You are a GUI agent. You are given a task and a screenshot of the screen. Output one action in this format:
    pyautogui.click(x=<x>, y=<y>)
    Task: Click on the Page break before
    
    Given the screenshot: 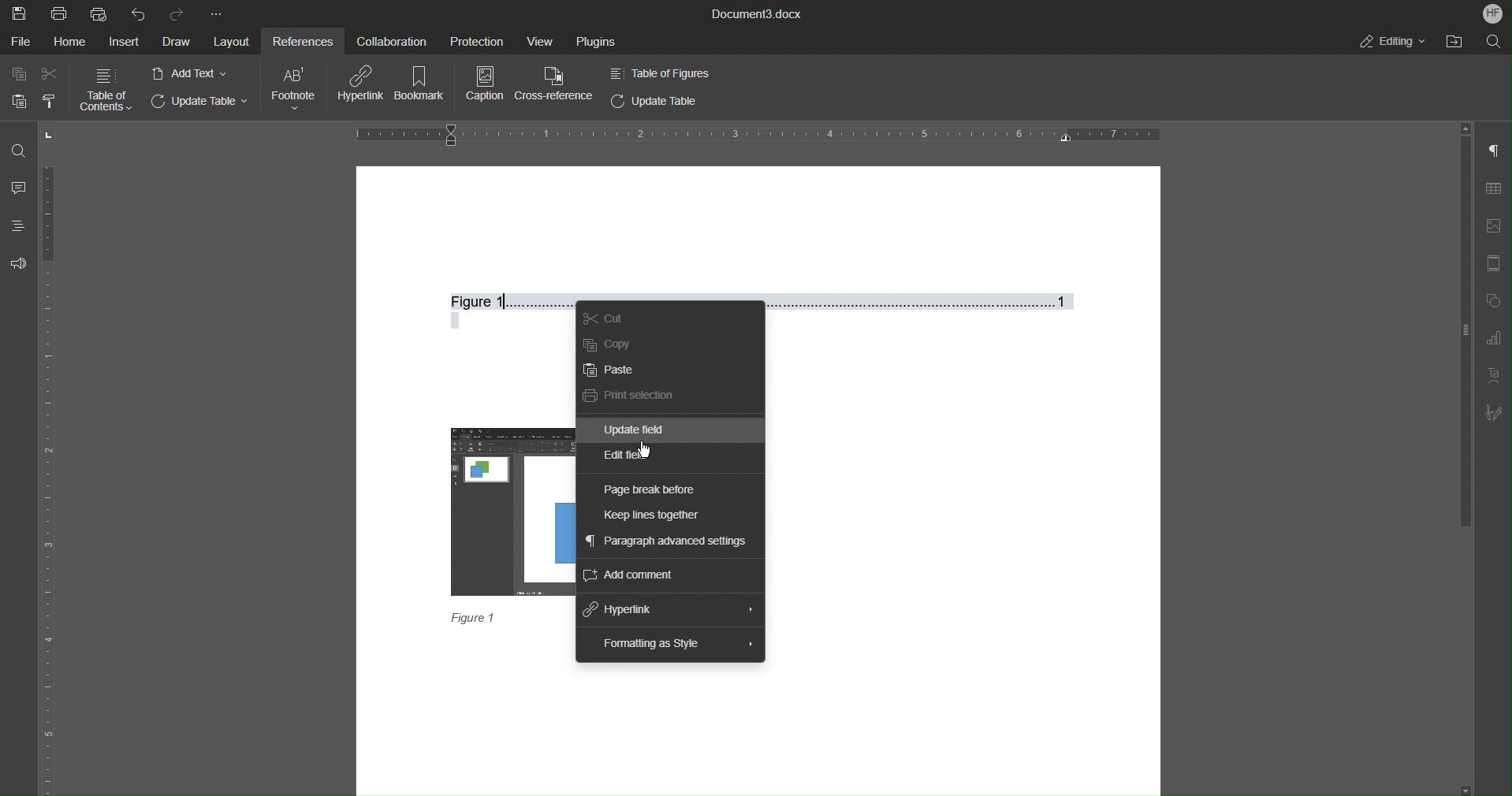 What is the action you would take?
    pyautogui.click(x=650, y=490)
    